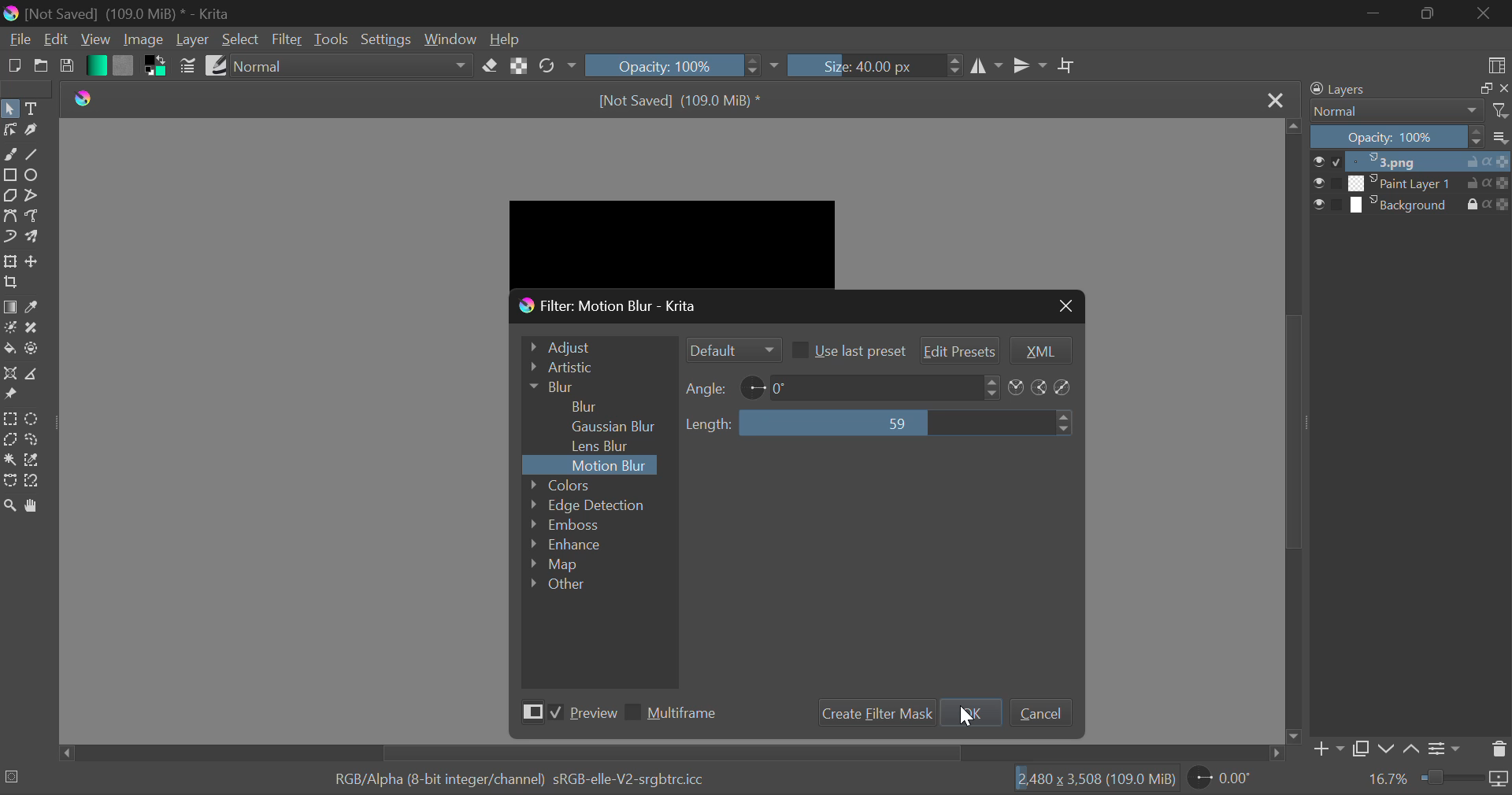  Describe the element at coordinates (67, 69) in the screenshot. I see `Save` at that location.